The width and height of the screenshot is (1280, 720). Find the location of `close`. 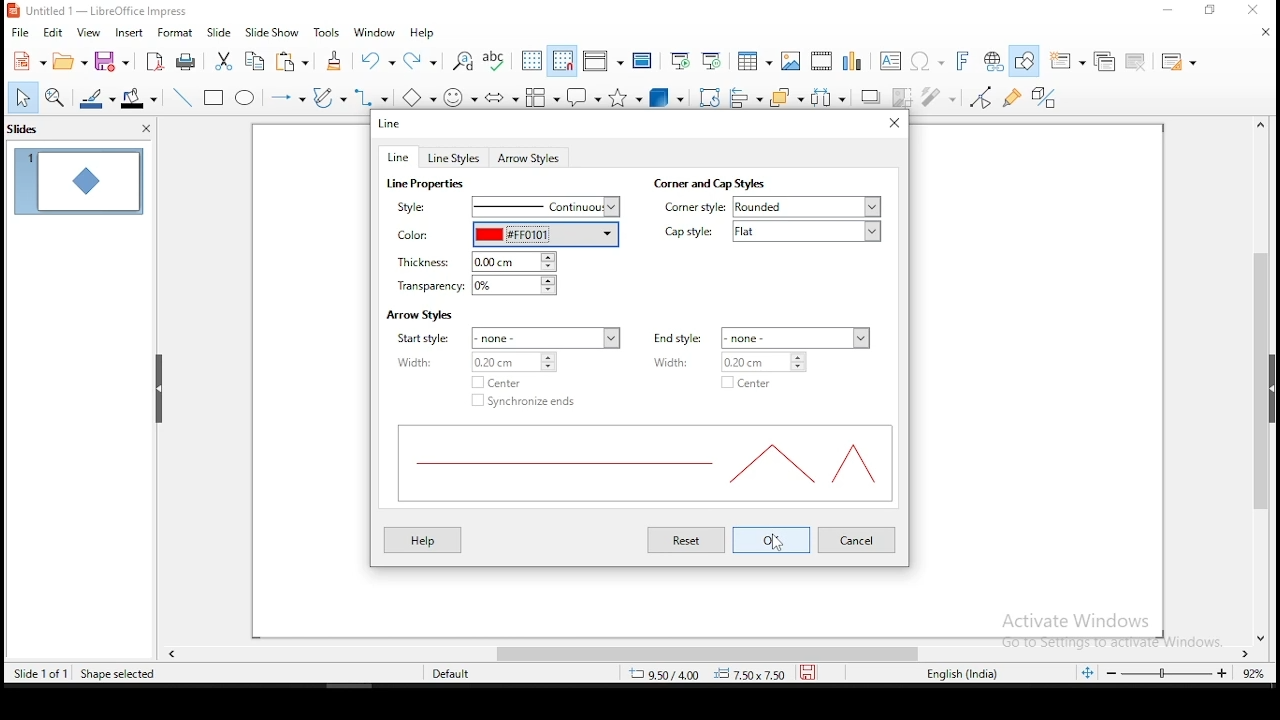

close is located at coordinates (145, 132).